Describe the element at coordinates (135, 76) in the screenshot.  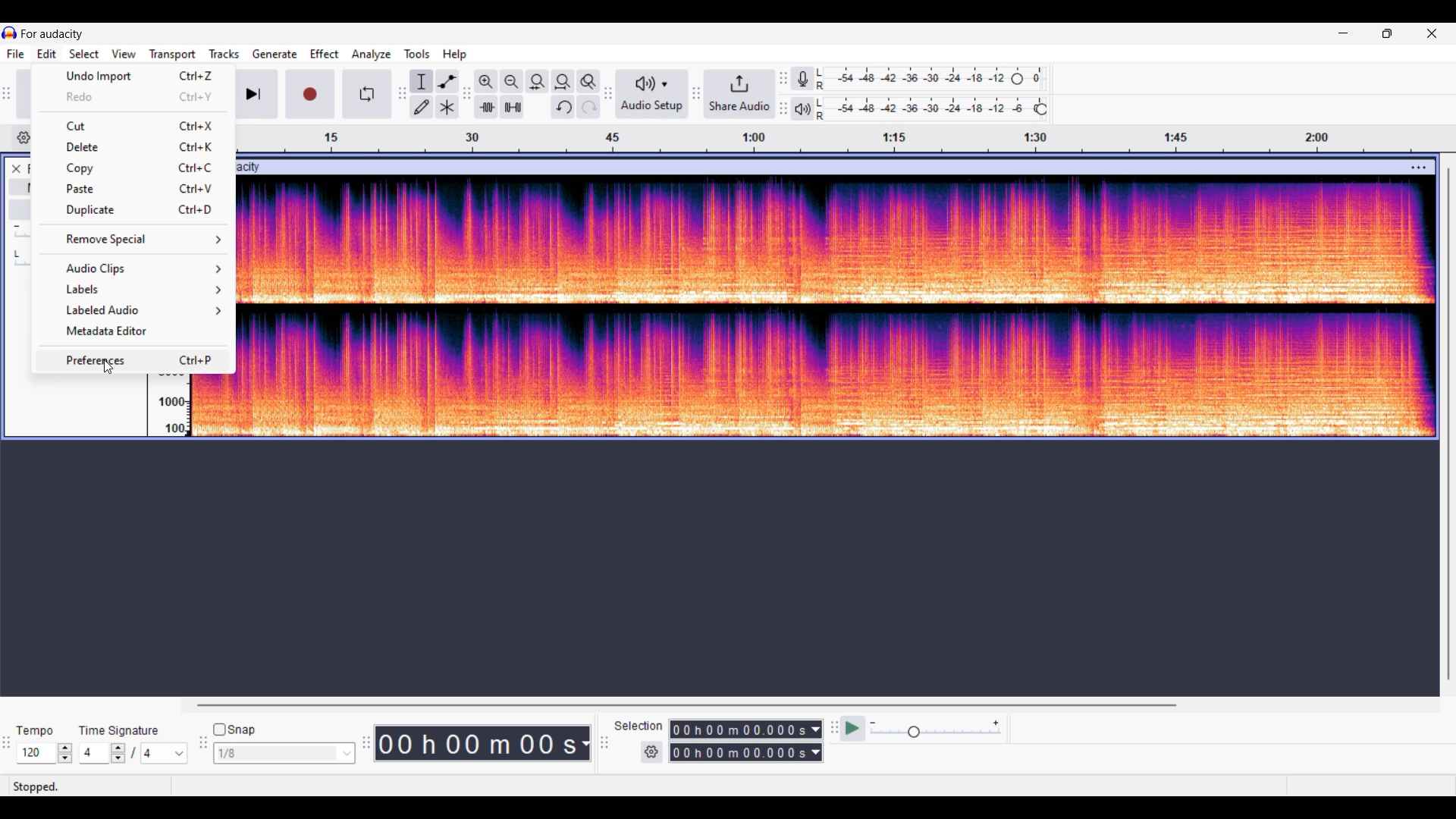
I see `Undo import` at that location.